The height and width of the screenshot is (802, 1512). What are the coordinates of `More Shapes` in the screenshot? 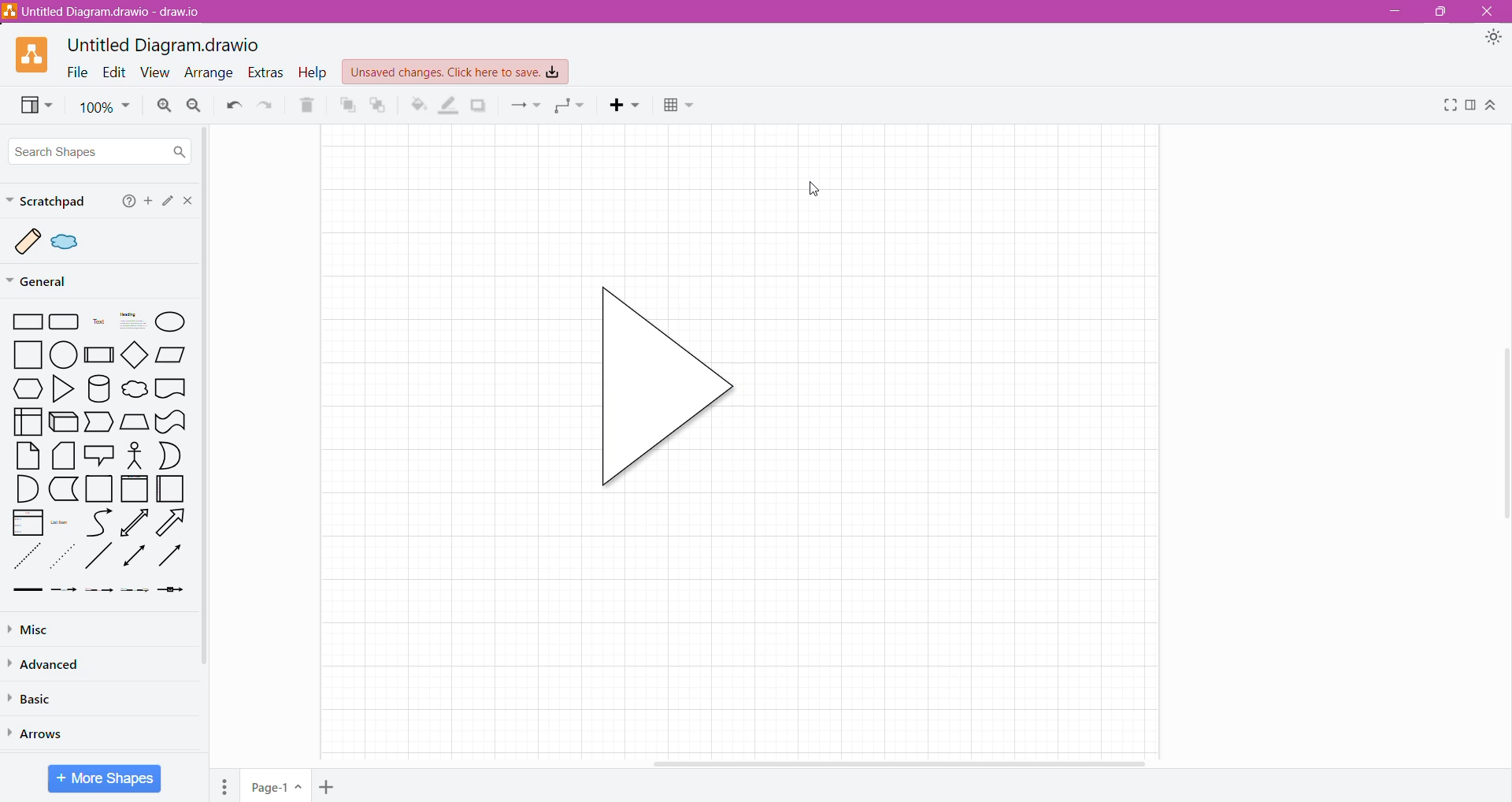 It's located at (105, 778).